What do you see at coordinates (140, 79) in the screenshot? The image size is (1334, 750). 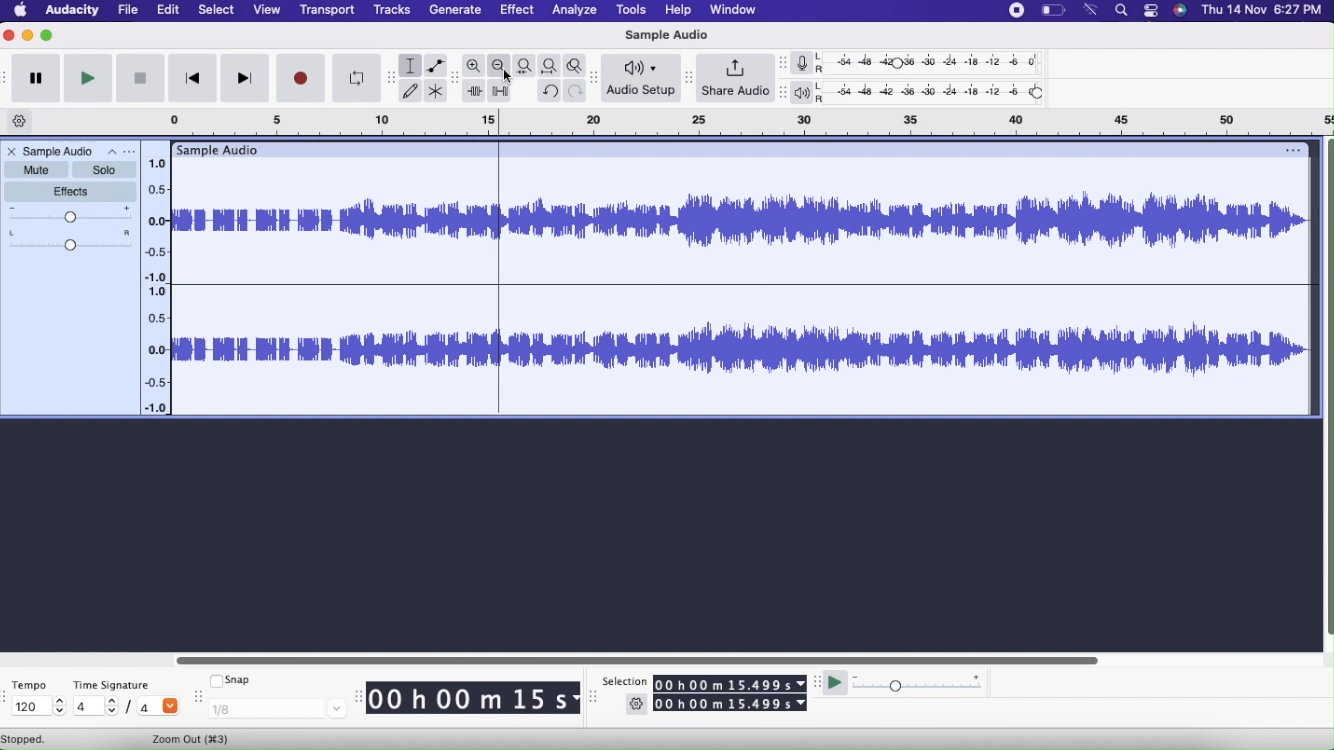 I see `Stop` at bounding box center [140, 79].